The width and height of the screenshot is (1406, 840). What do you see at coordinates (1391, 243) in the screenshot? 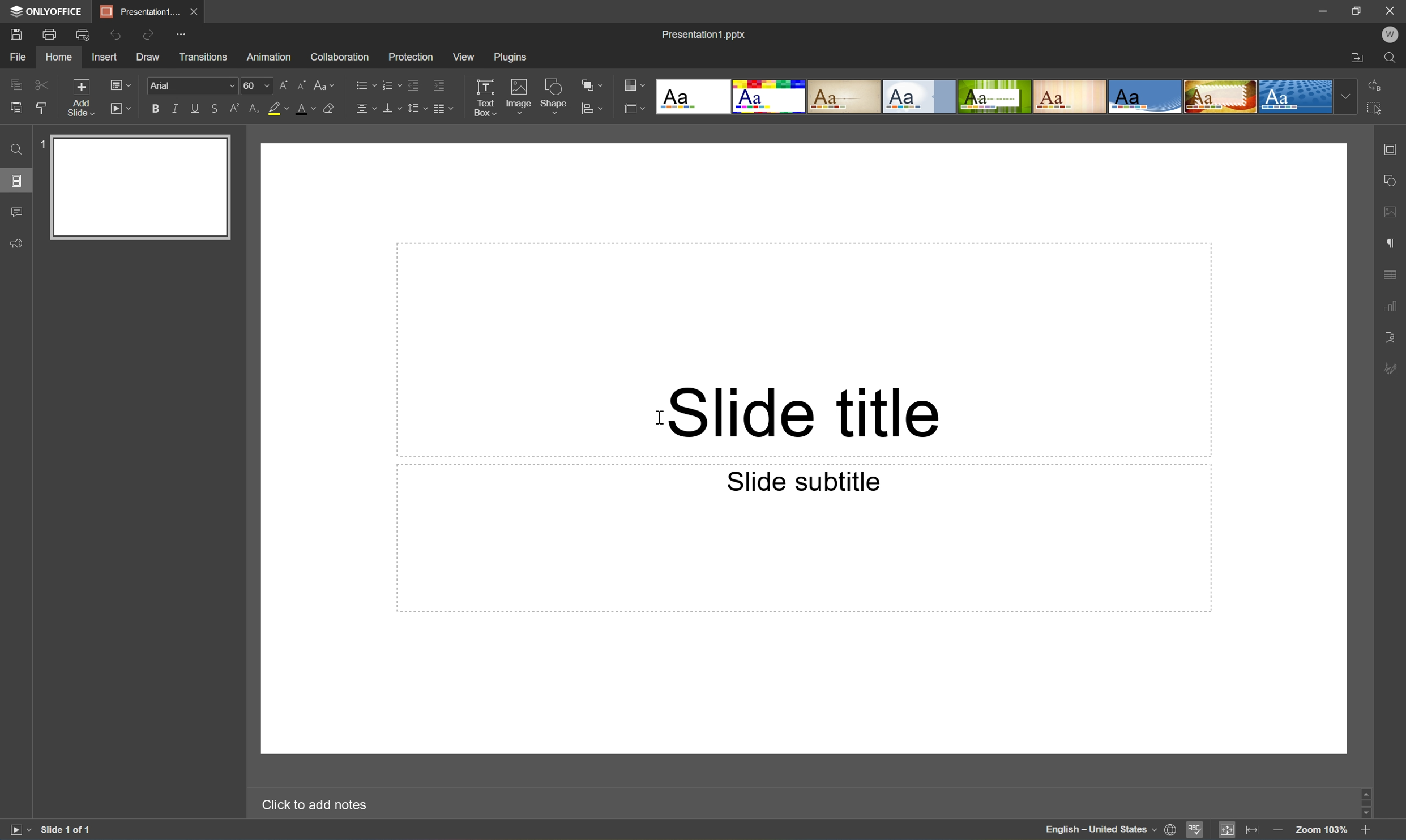
I see `Paragraph settings` at bounding box center [1391, 243].